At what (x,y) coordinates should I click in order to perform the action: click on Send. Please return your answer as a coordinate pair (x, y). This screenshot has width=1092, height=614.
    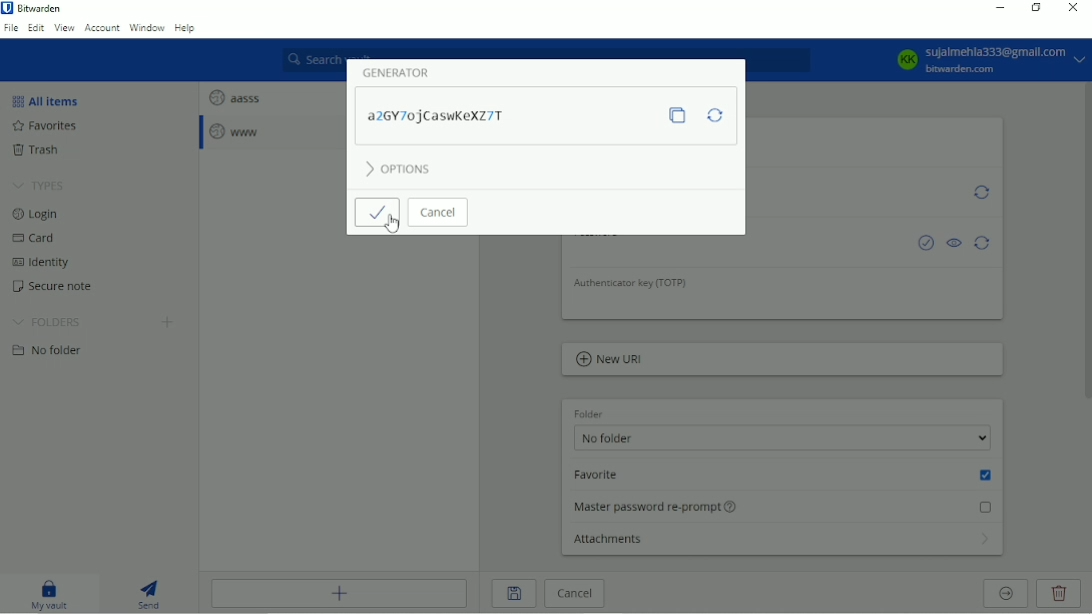
    Looking at the image, I should click on (152, 594).